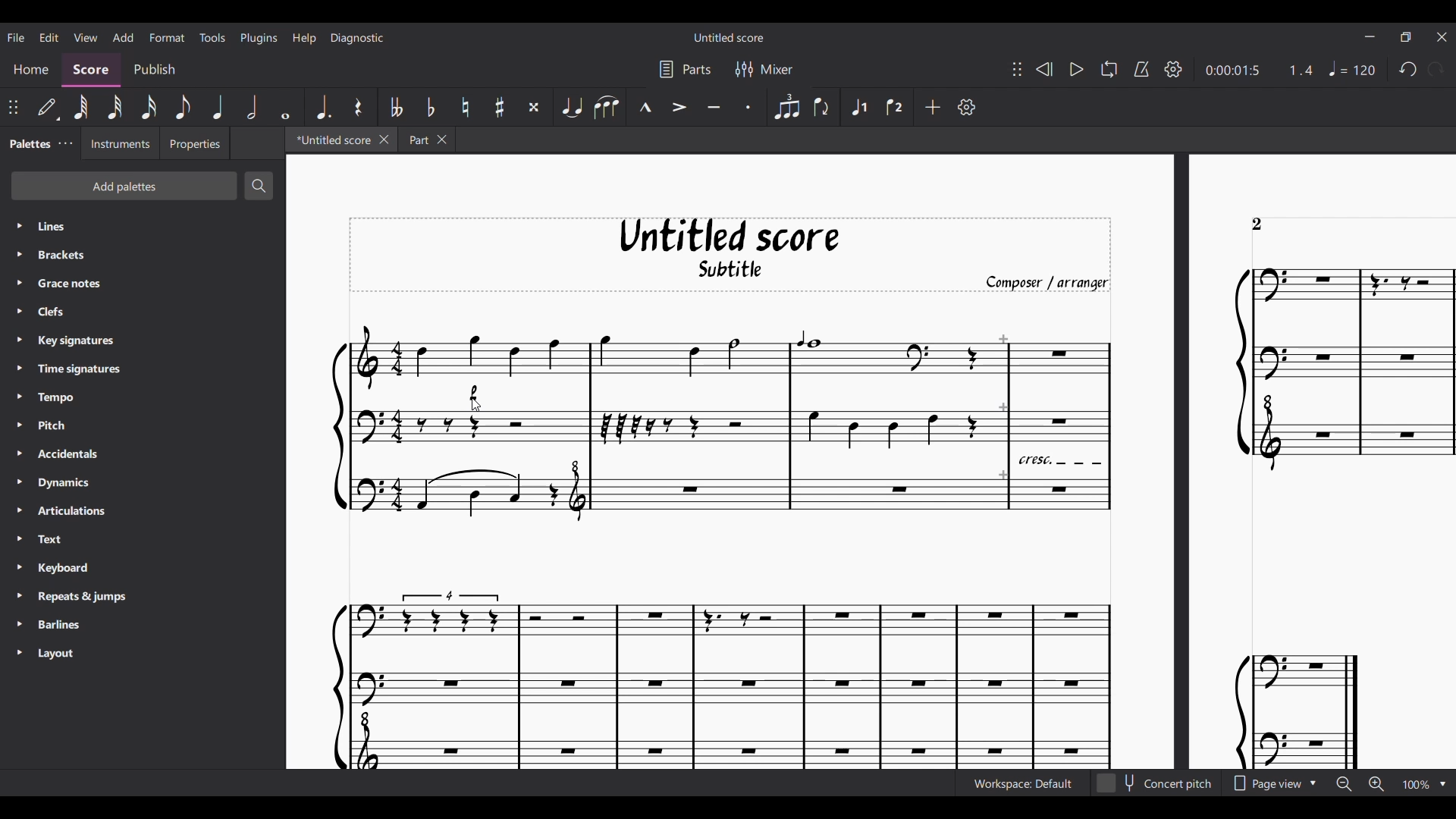 The width and height of the screenshot is (1456, 819). Describe the element at coordinates (932, 107) in the screenshot. I see `Add` at that location.